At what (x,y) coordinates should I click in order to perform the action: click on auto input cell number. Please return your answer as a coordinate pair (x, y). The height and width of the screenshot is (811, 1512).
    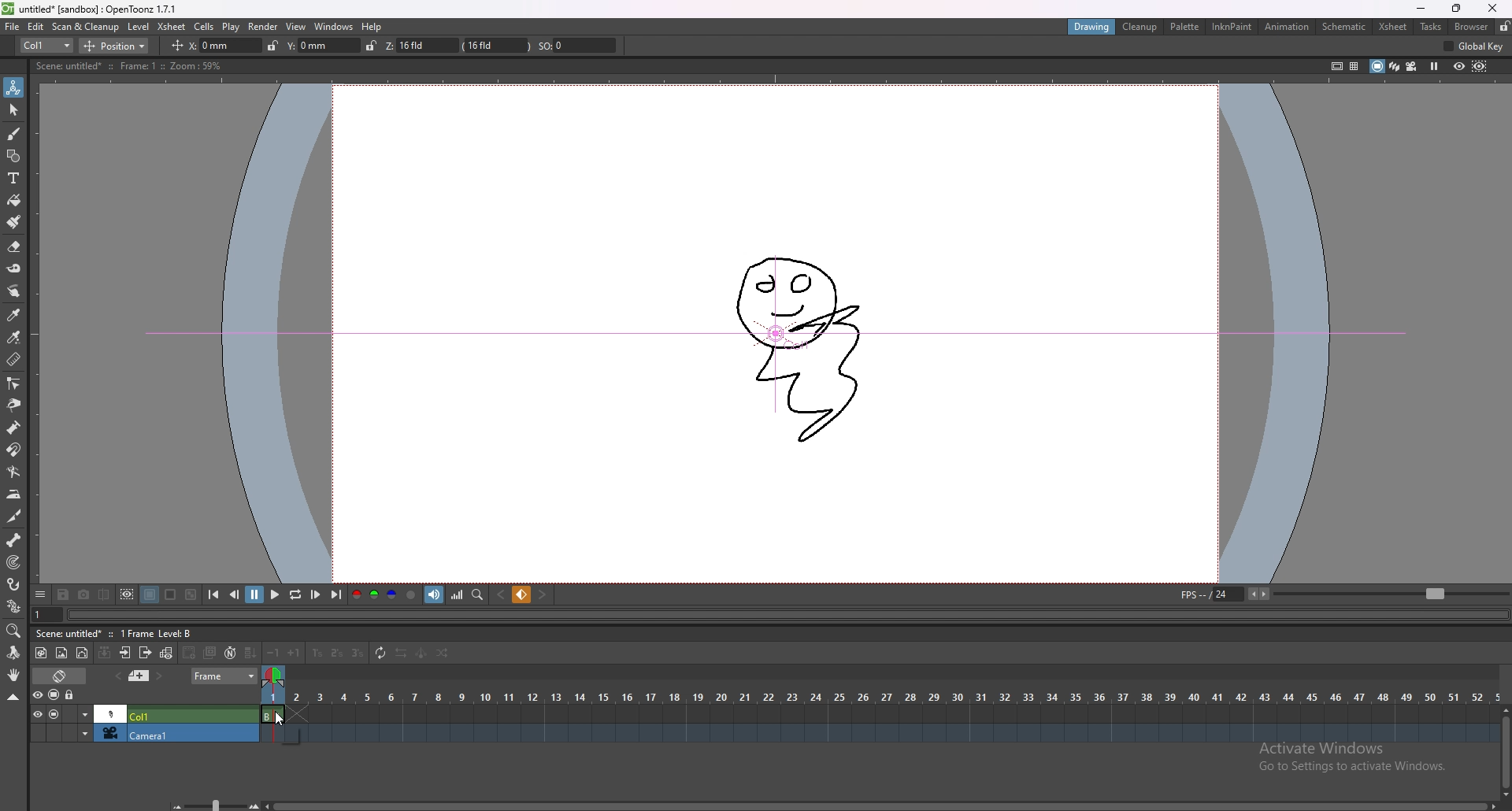
    Looking at the image, I should click on (230, 652).